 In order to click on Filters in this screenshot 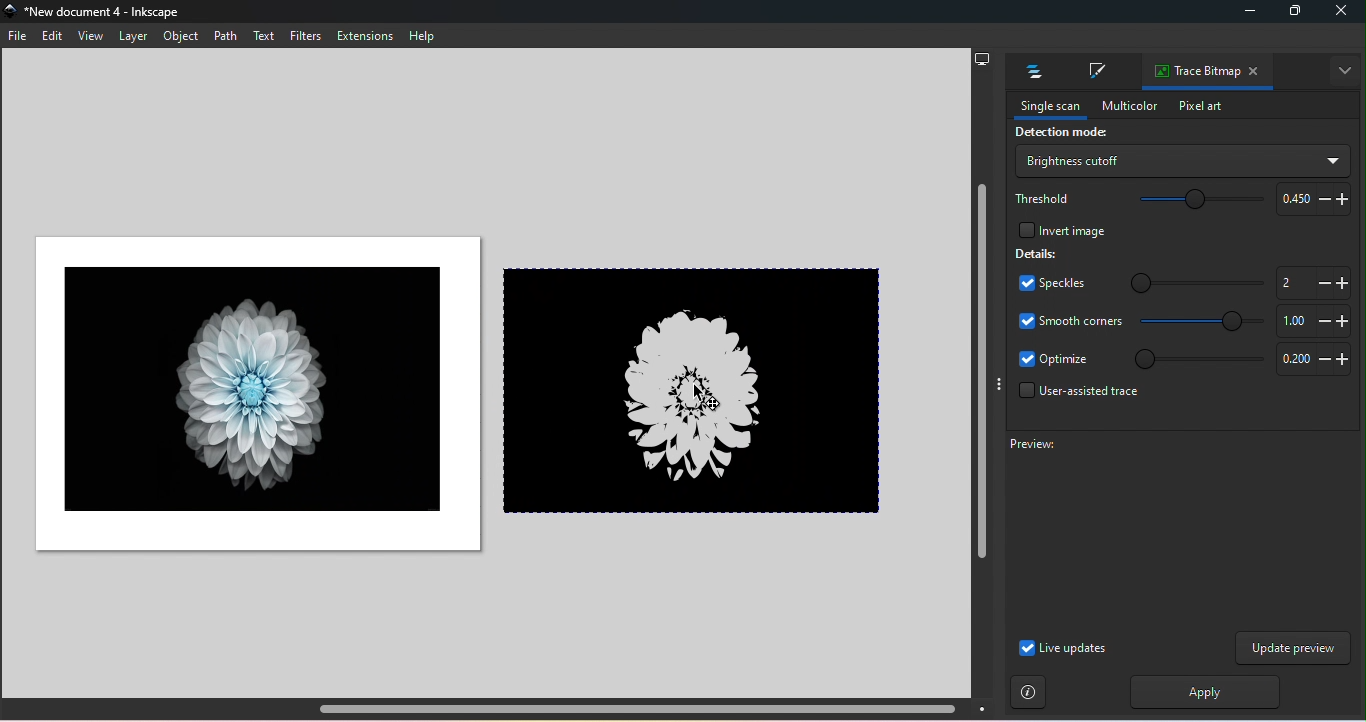, I will do `click(304, 35)`.